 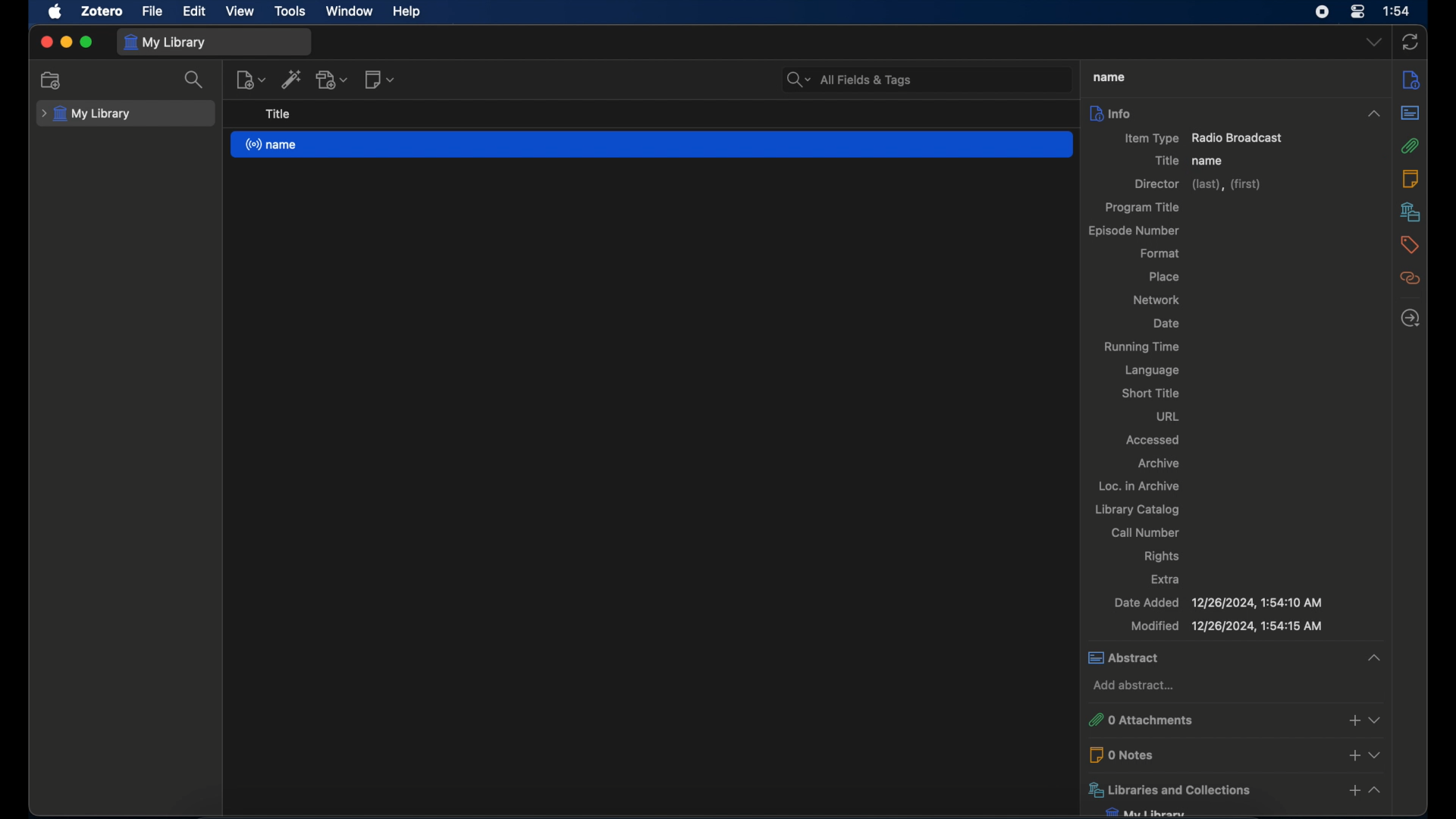 I want to click on add attachment, so click(x=332, y=79).